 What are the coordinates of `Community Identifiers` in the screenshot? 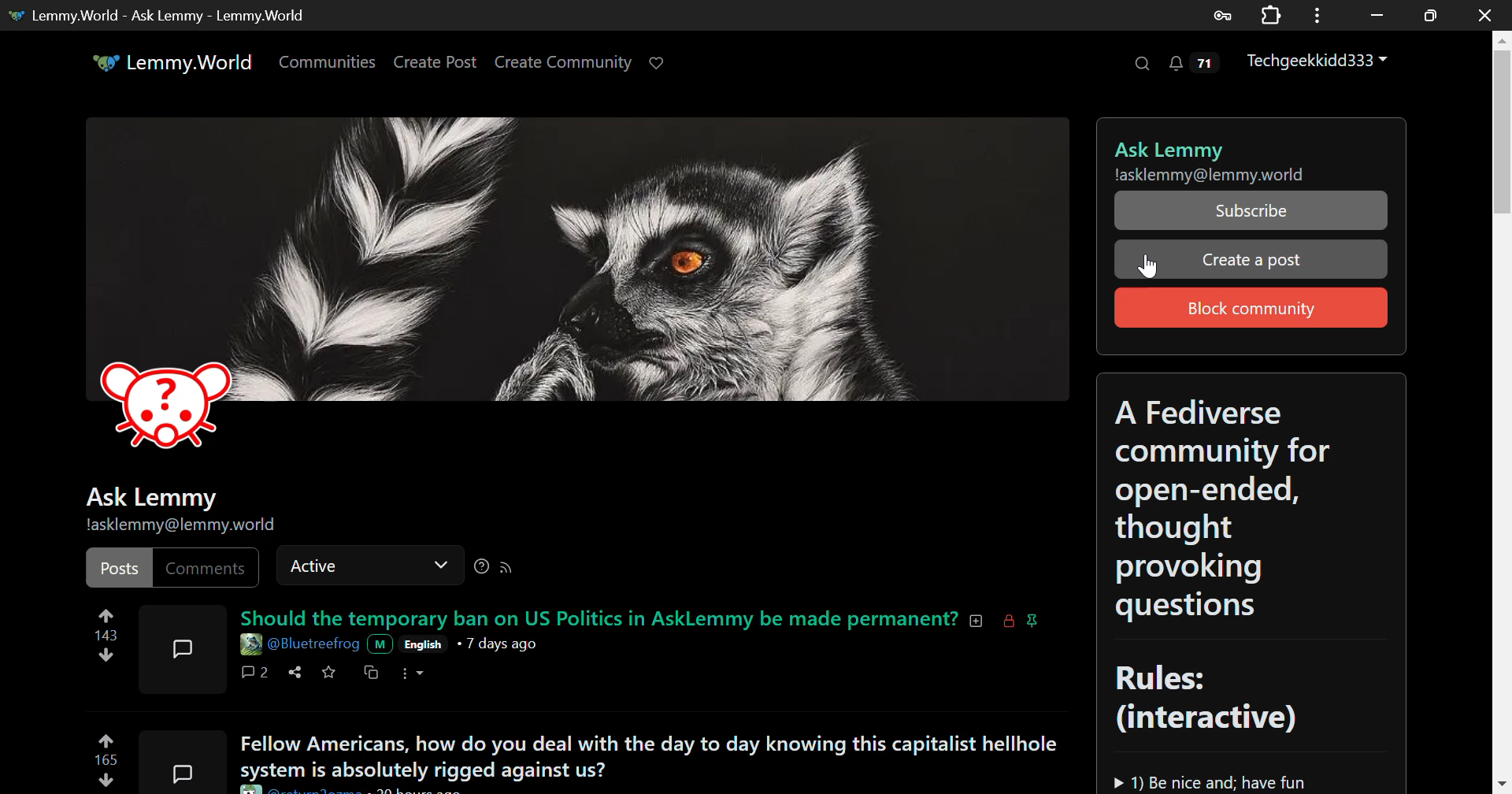 It's located at (184, 511).